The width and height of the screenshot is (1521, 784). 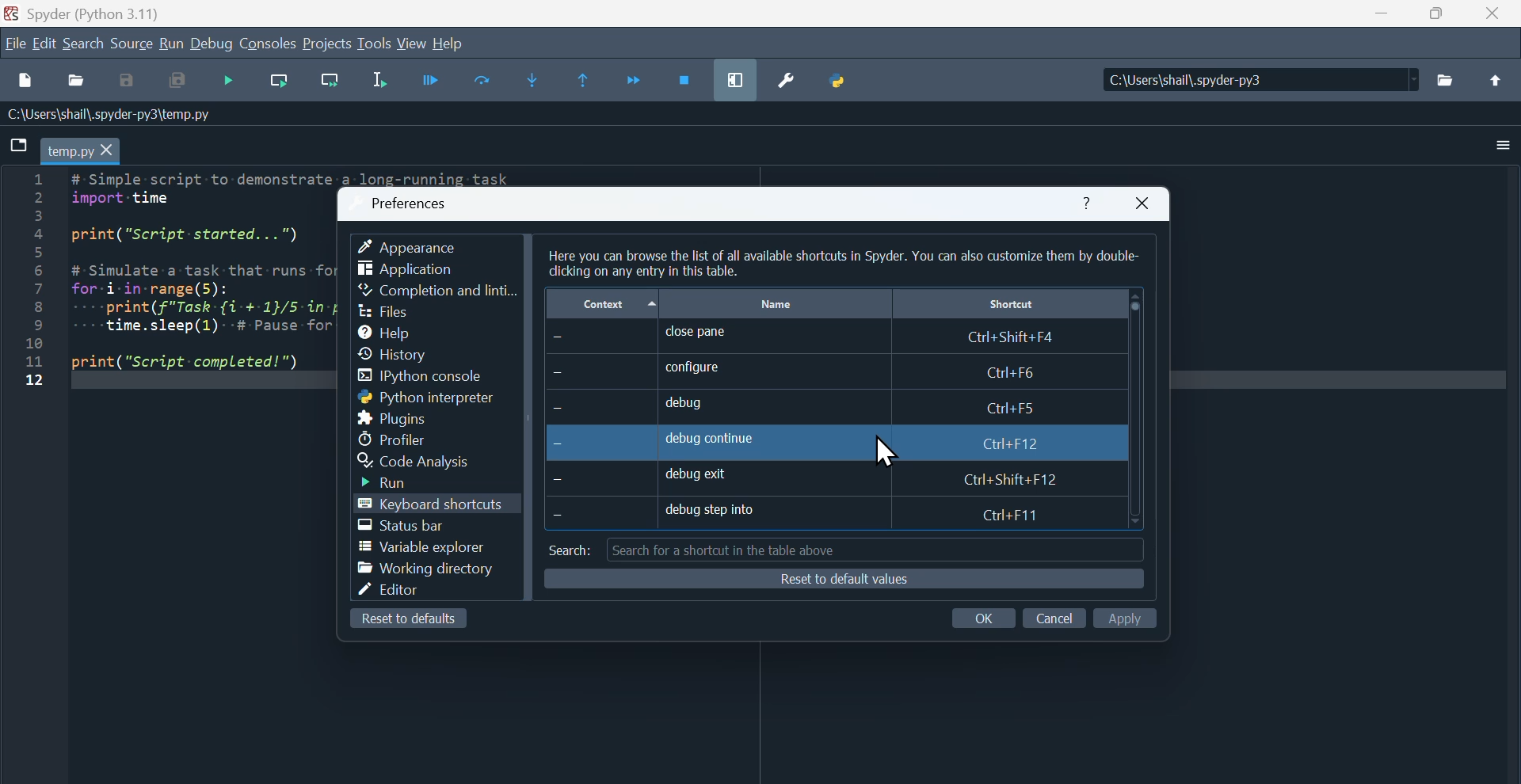 What do you see at coordinates (685, 76) in the screenshot?
I see `Stop debugging` at bounding box center [685, 76].